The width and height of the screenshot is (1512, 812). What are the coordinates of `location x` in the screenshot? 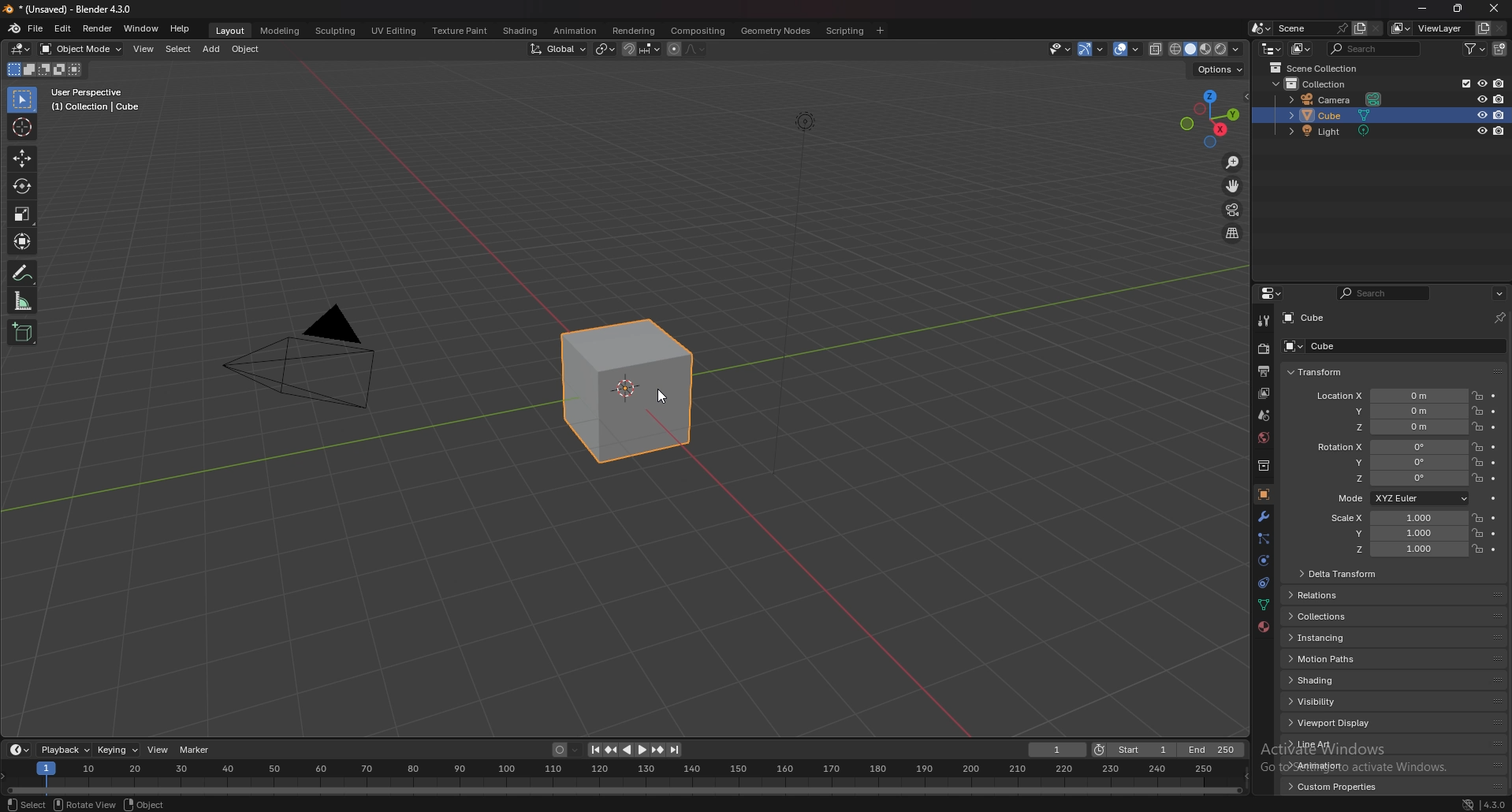 It's located at (1389, 397).